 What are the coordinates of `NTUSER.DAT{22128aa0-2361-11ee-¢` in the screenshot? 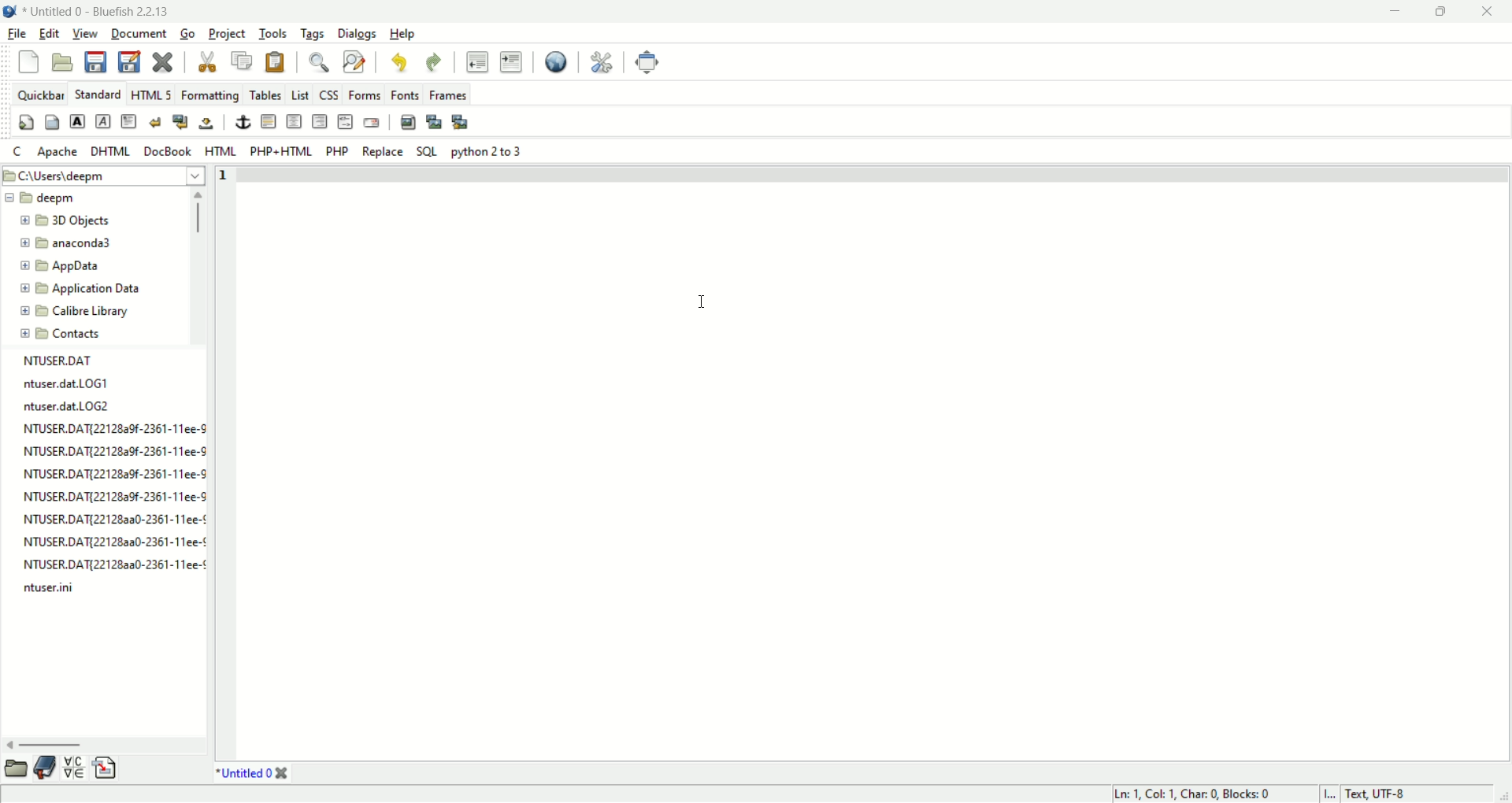 It's located at (116, 561).